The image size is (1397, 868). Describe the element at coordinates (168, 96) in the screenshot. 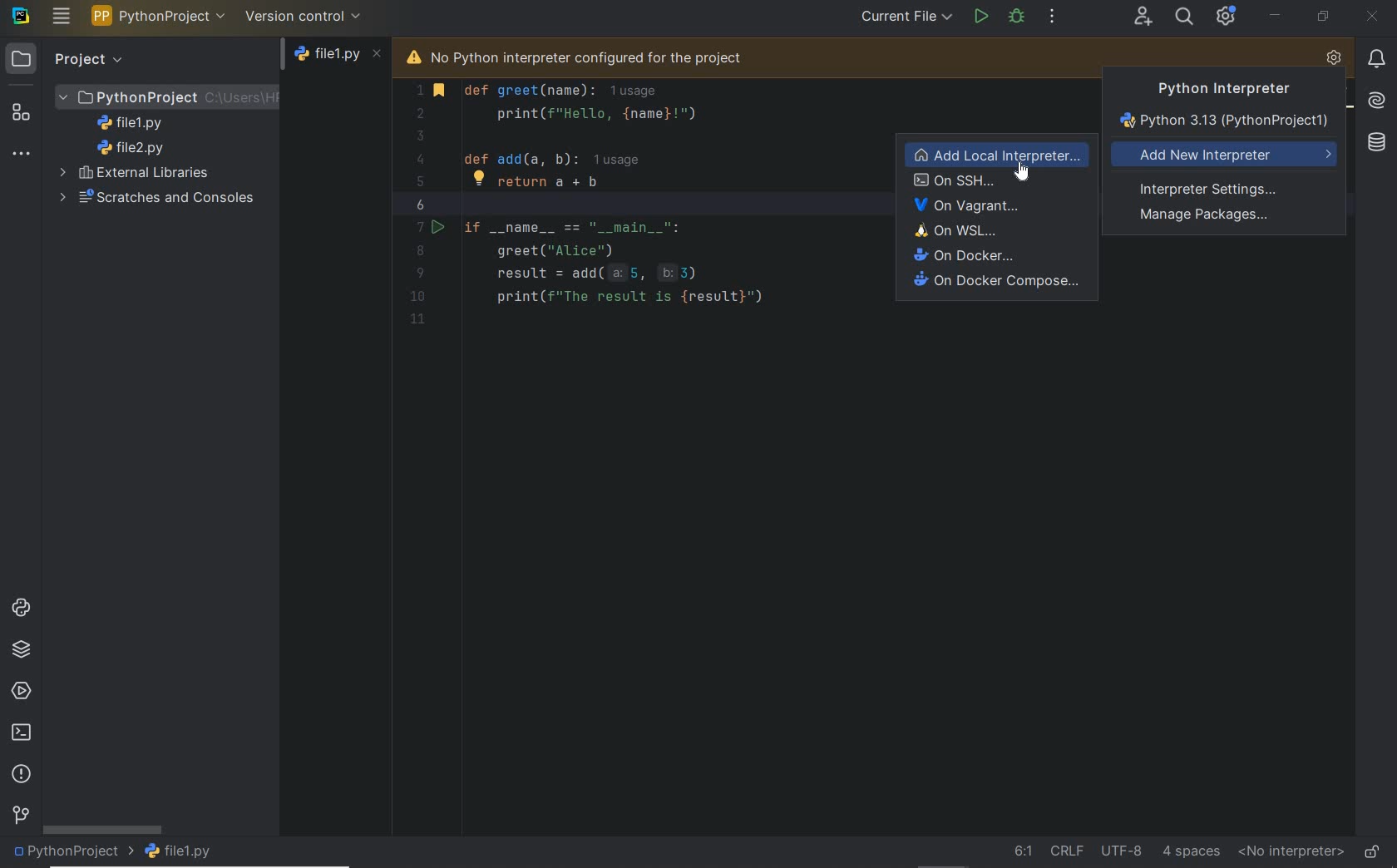

I see `Project` at that location.